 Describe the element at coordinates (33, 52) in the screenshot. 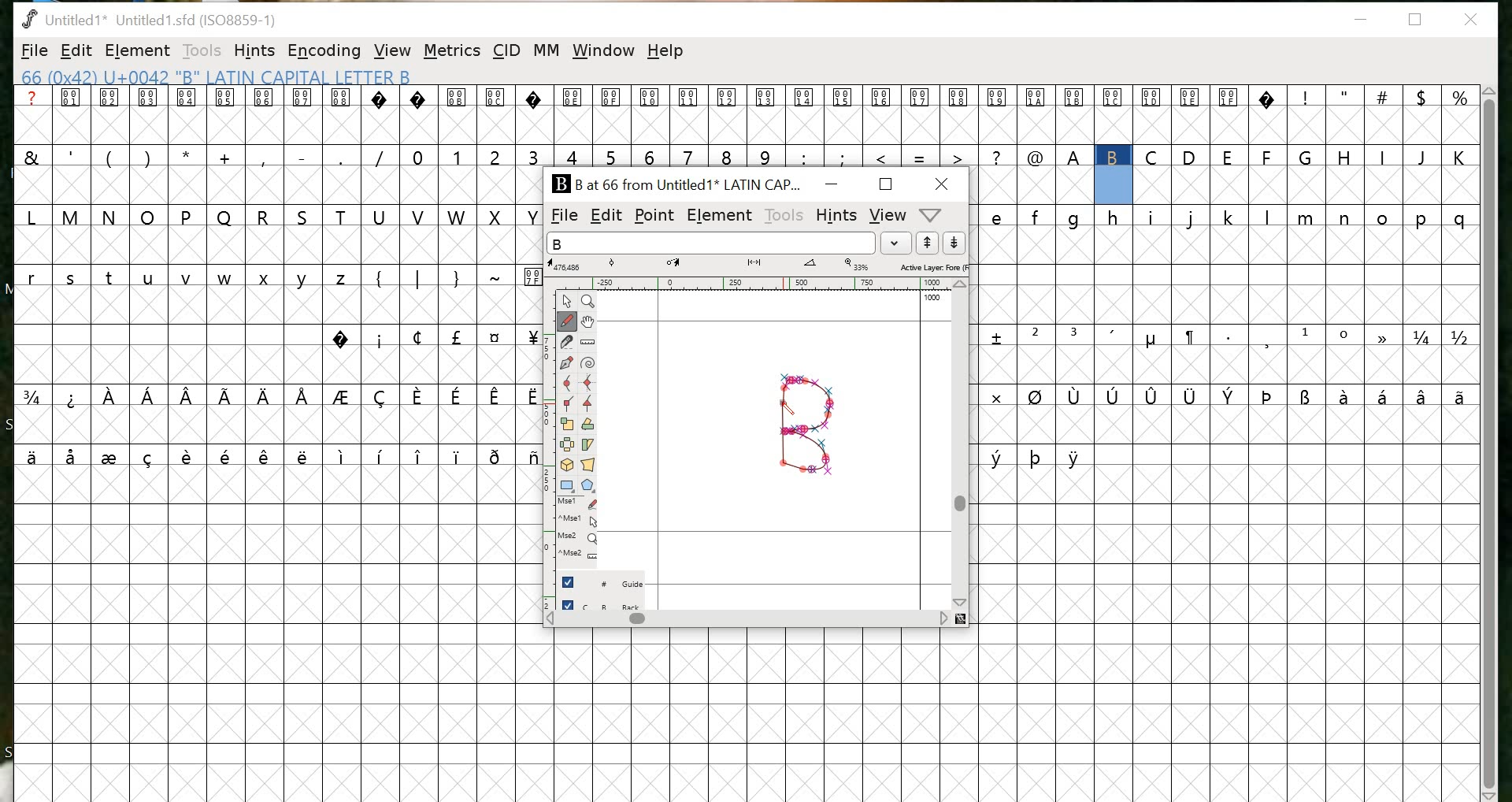

I see `FILE` at that location.